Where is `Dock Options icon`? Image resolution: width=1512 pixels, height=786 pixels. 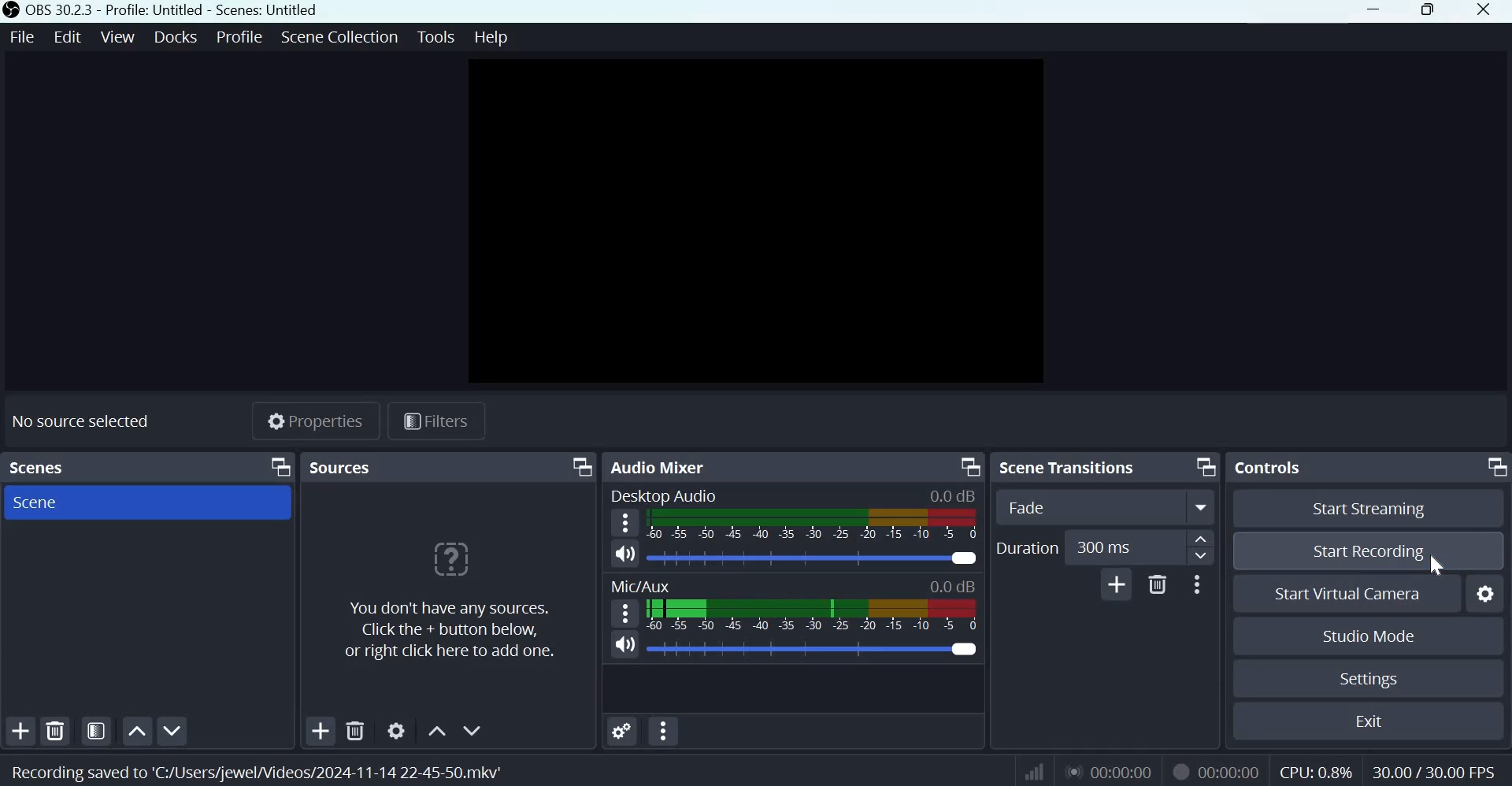 Dock Options icon is located at coordinates (1496, 468).